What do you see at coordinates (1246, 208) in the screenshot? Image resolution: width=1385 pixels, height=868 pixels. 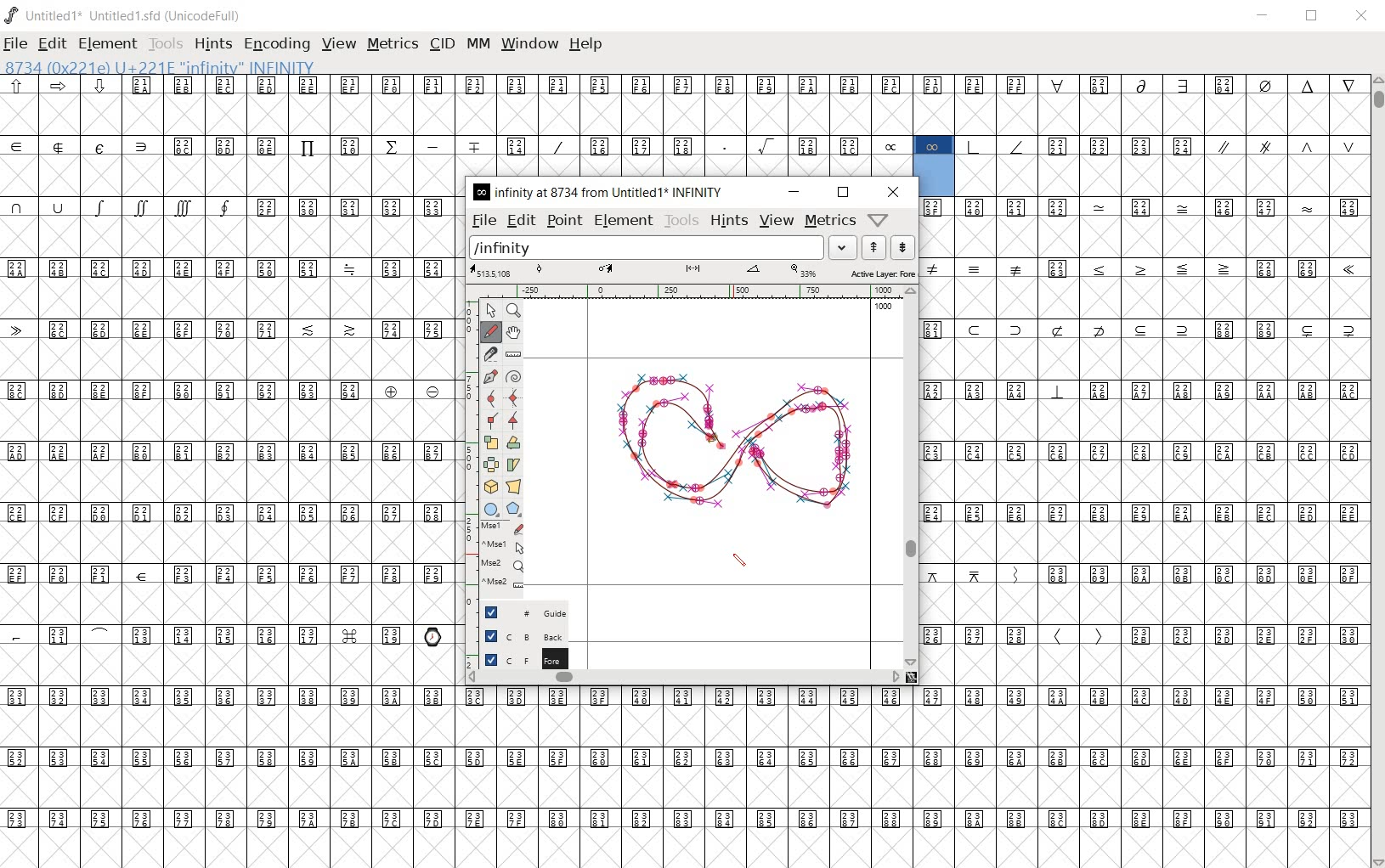 I see `Unicode code points` at bounding box center [1246, 208].